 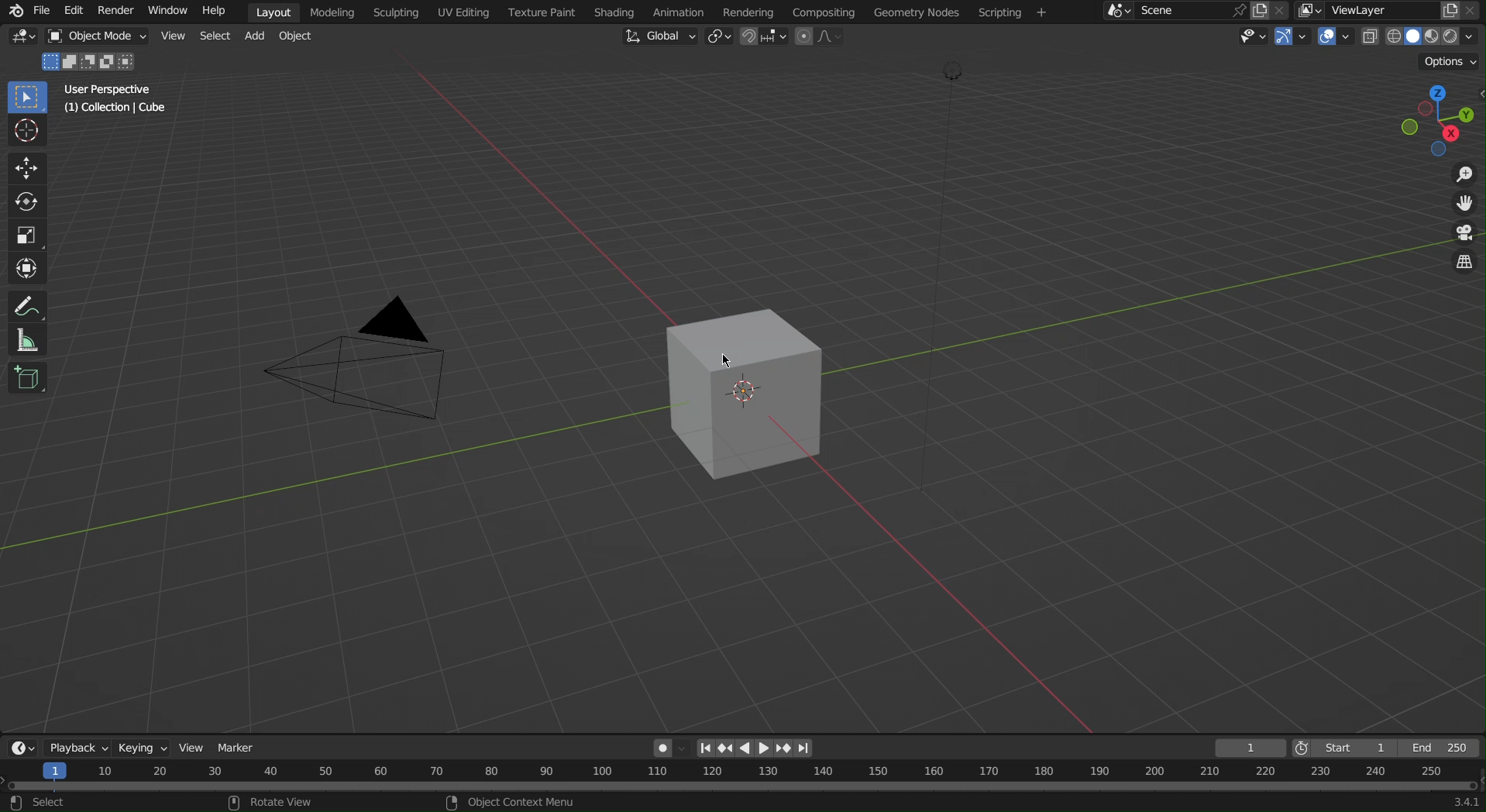 I want to click on 1, so click(x=1250, y=745).